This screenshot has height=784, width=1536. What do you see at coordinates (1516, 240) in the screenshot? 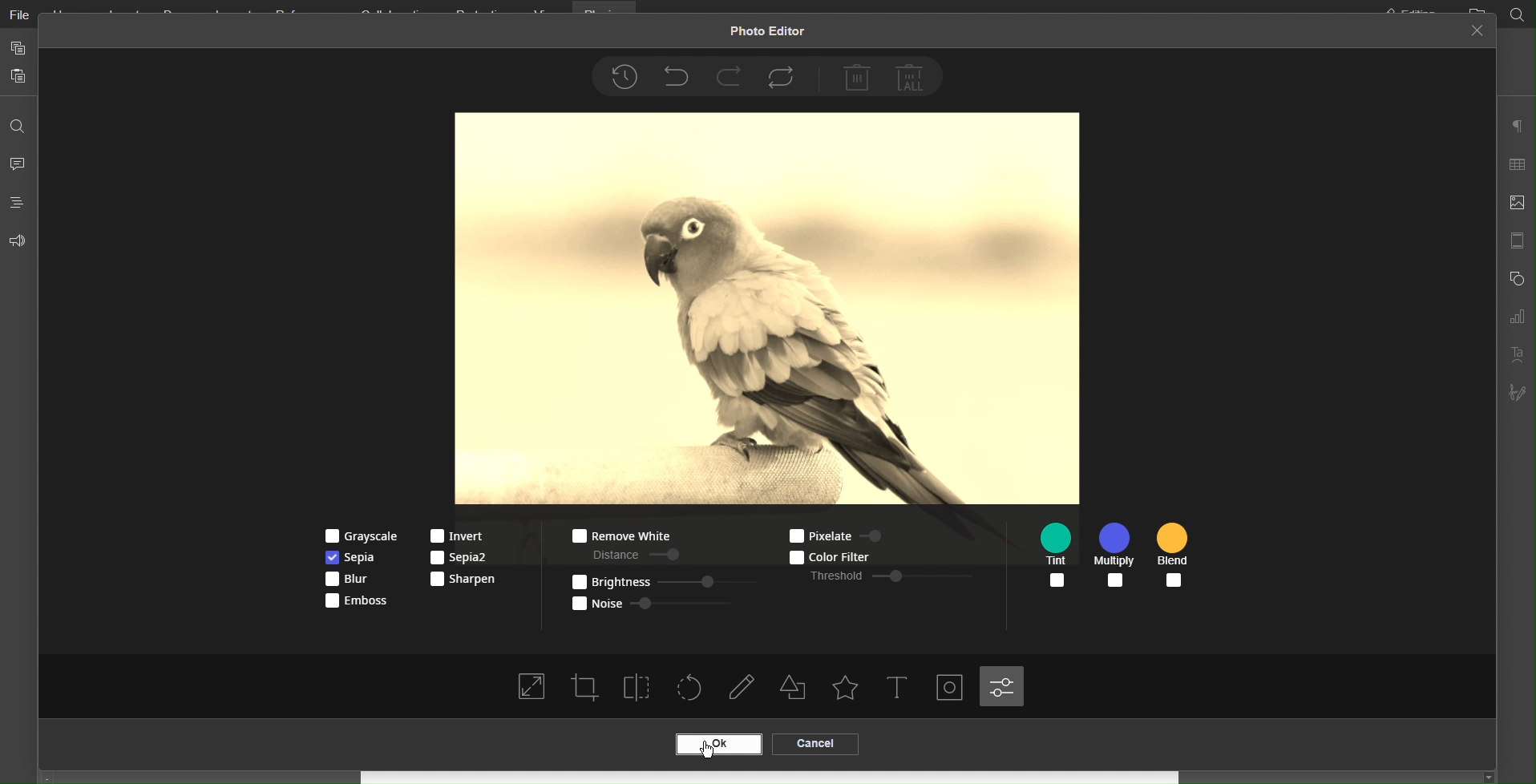
I see `Header Footer` at bounding box center [1516, 240].